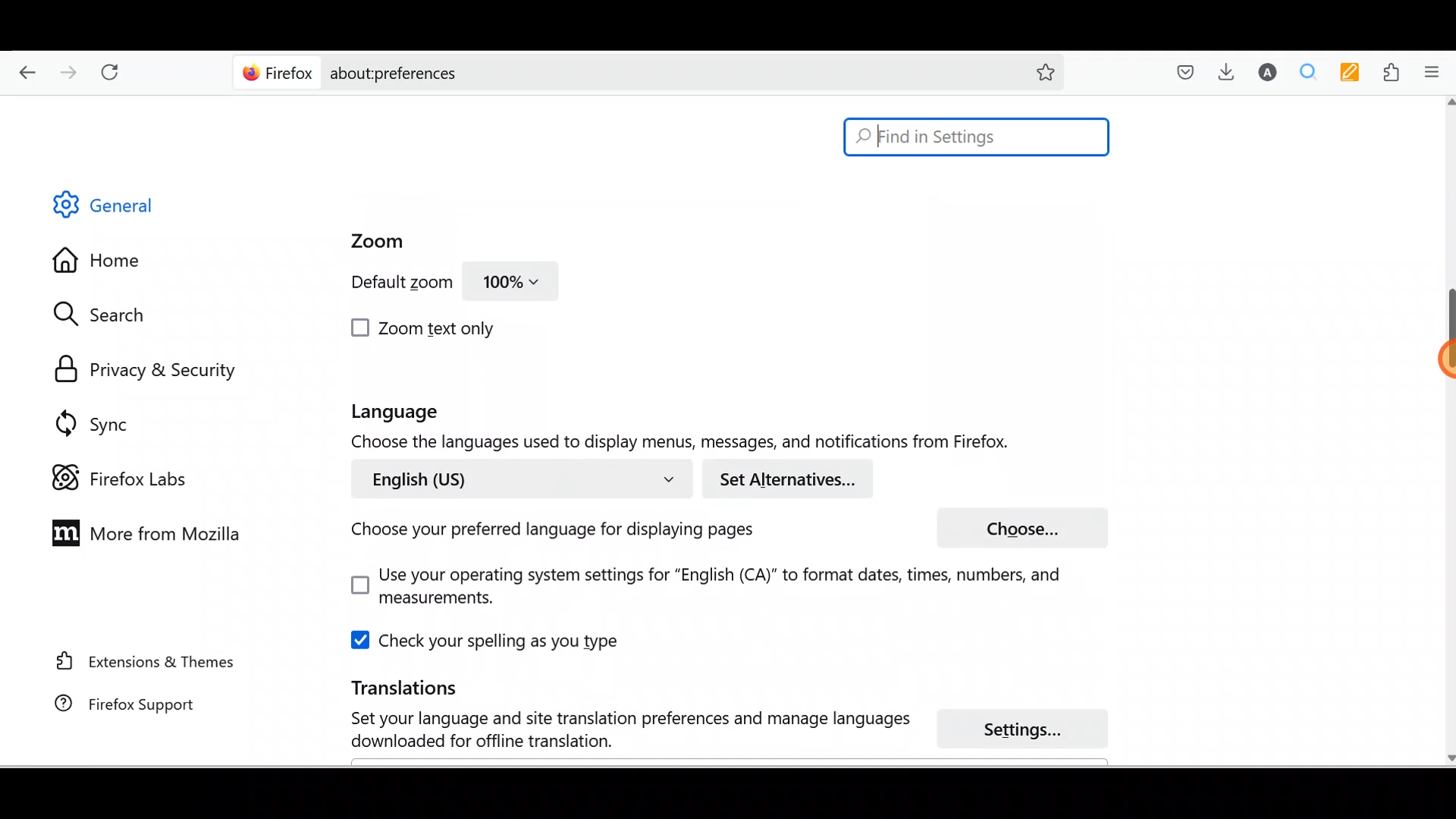 The width and height of the screenshot is (1456, 819). What do you see at coordinates (547, 533) in the screenshot?
I see `Choose your preferred language for displaying pages` at bounding box center [547, 533].